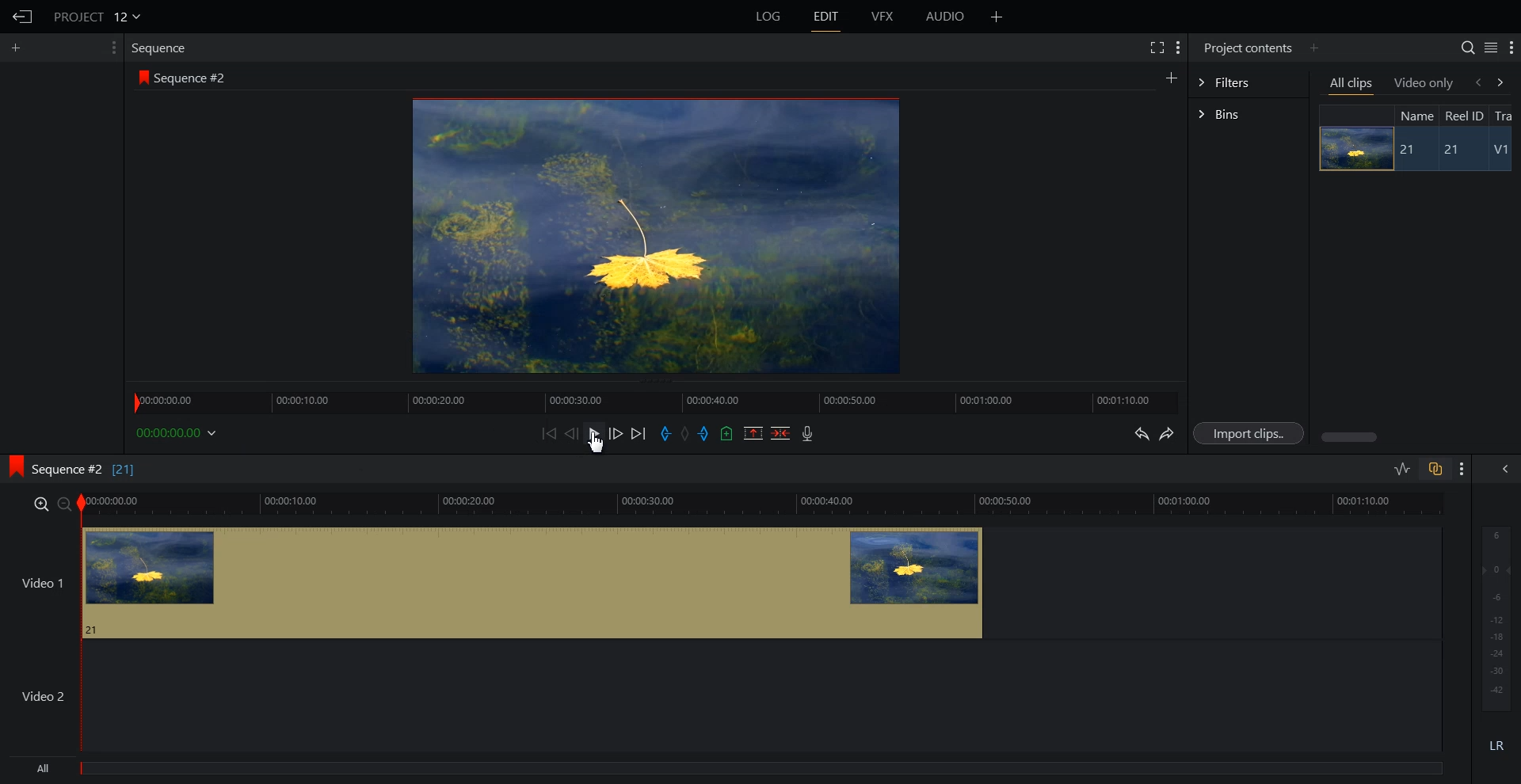 The height and width of the screenshot is (784, 1521). I want to click on V1, so click(1503, 151).